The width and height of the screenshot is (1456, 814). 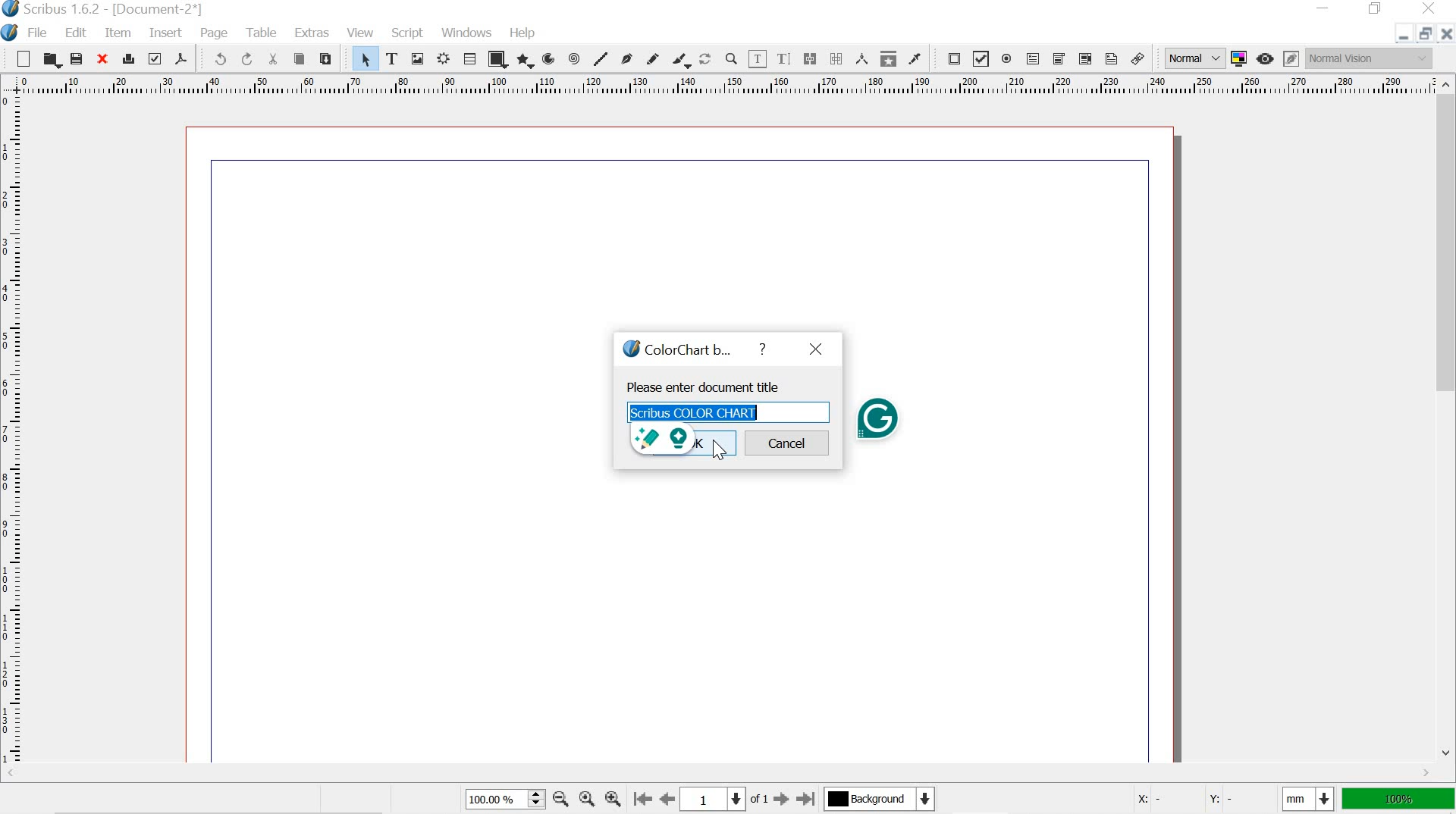 I want to click on scrollbar, so click(x=714, y=774).